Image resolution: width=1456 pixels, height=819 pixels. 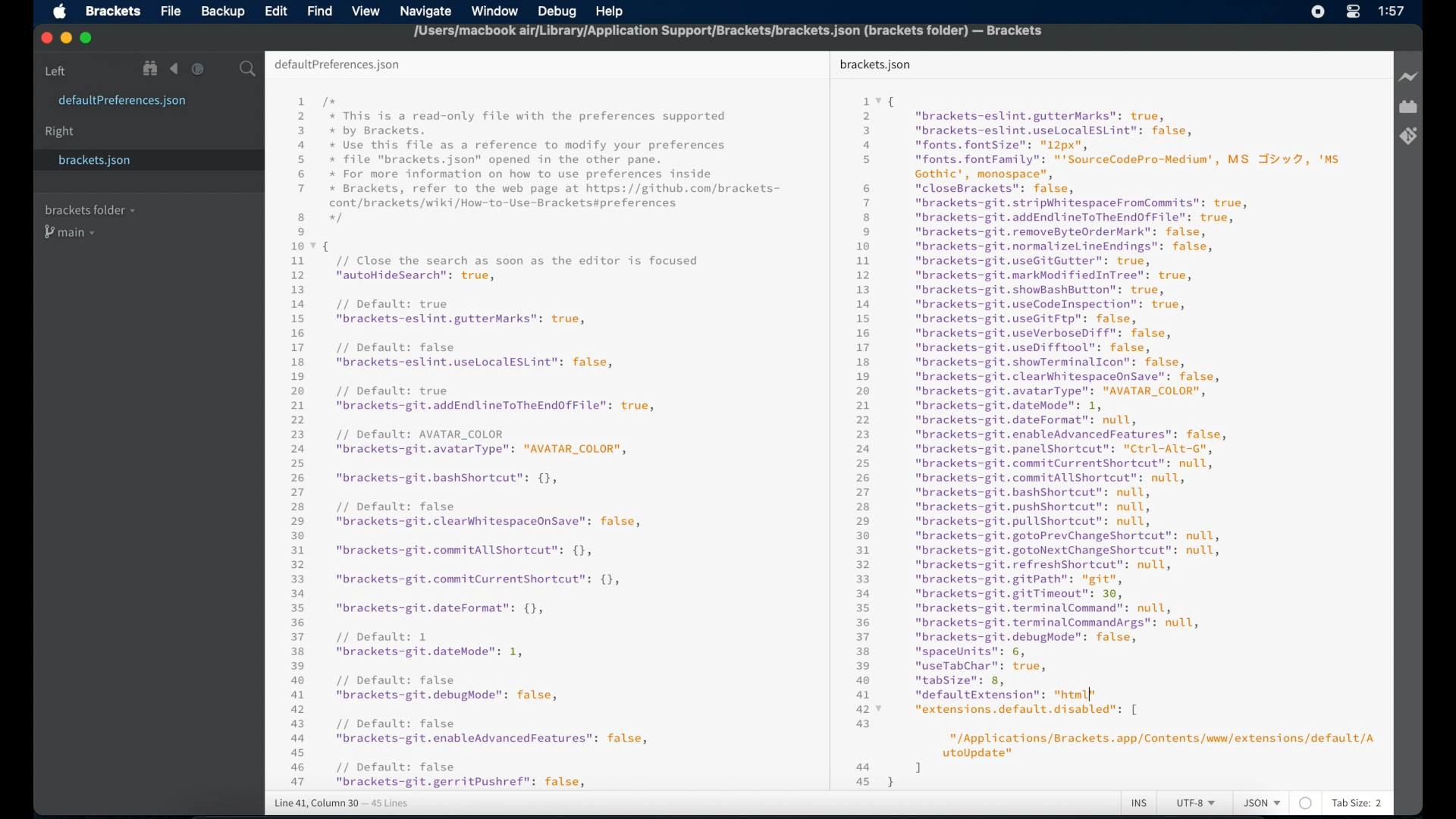 I want to click on apple icon, so click(x=59, y=12).